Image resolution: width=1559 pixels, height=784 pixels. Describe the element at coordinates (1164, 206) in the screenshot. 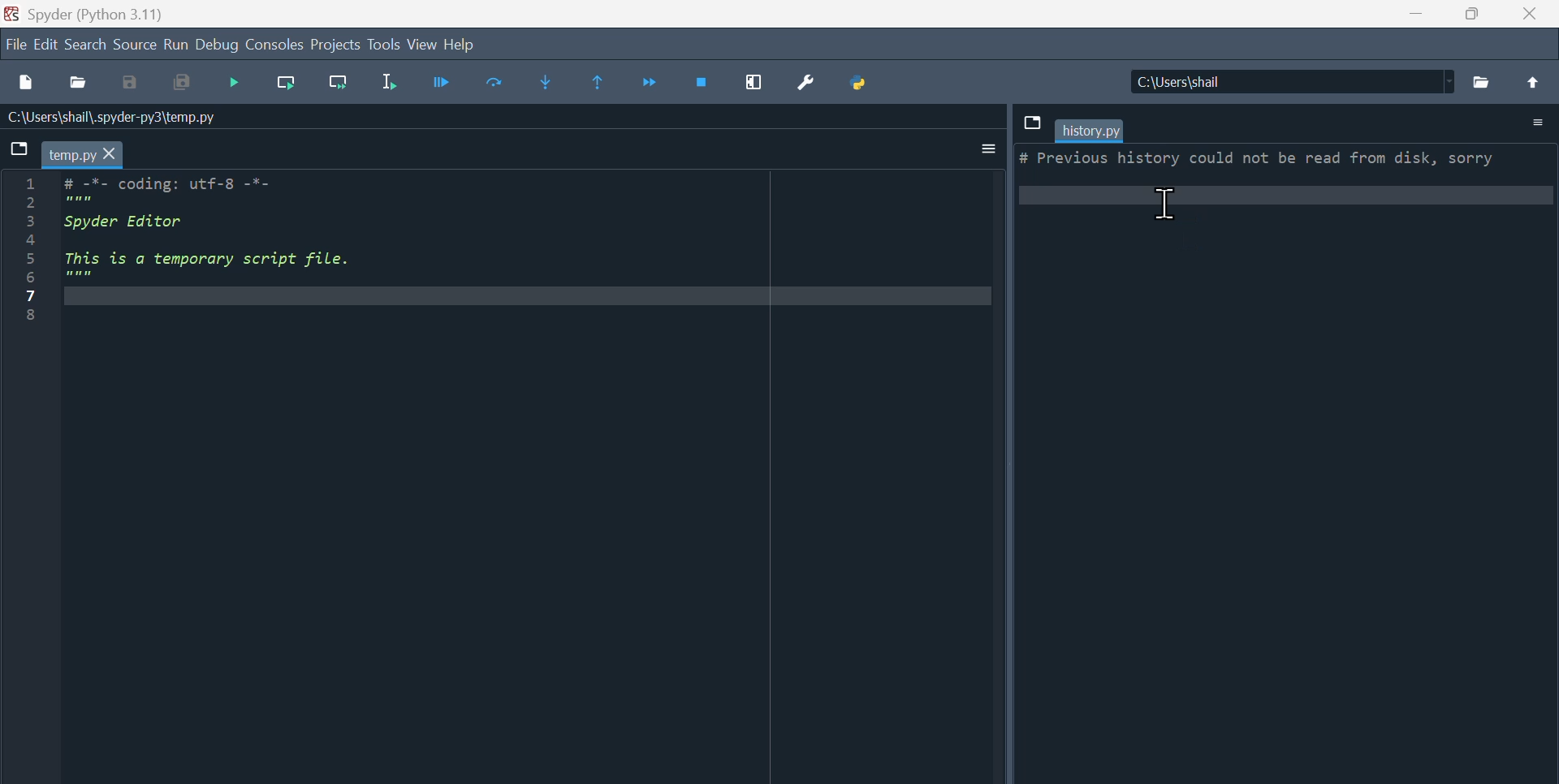

I see `Cursor` at that location.